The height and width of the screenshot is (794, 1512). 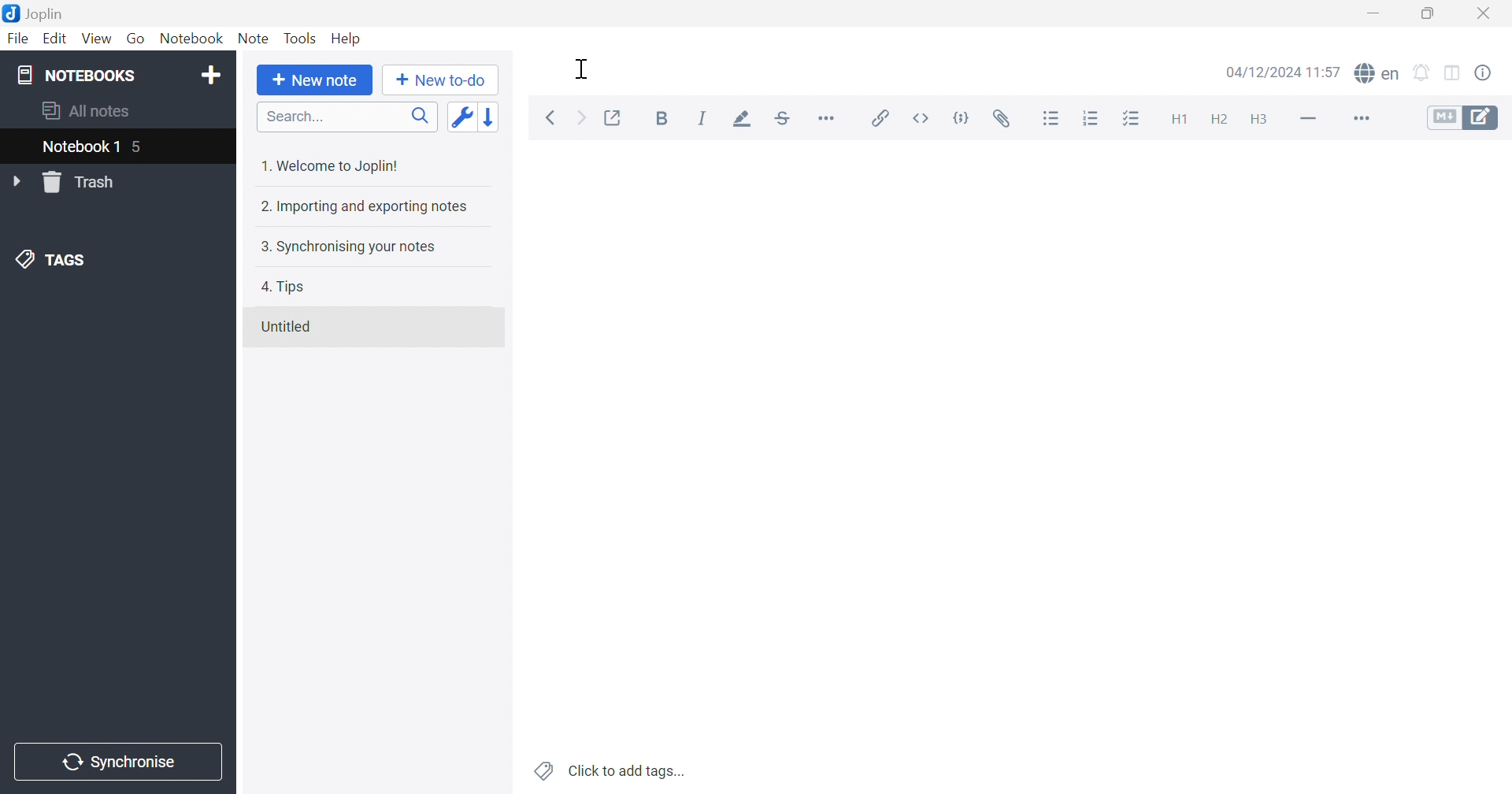 I want to click on TAGS, so click(x=55, y=262).